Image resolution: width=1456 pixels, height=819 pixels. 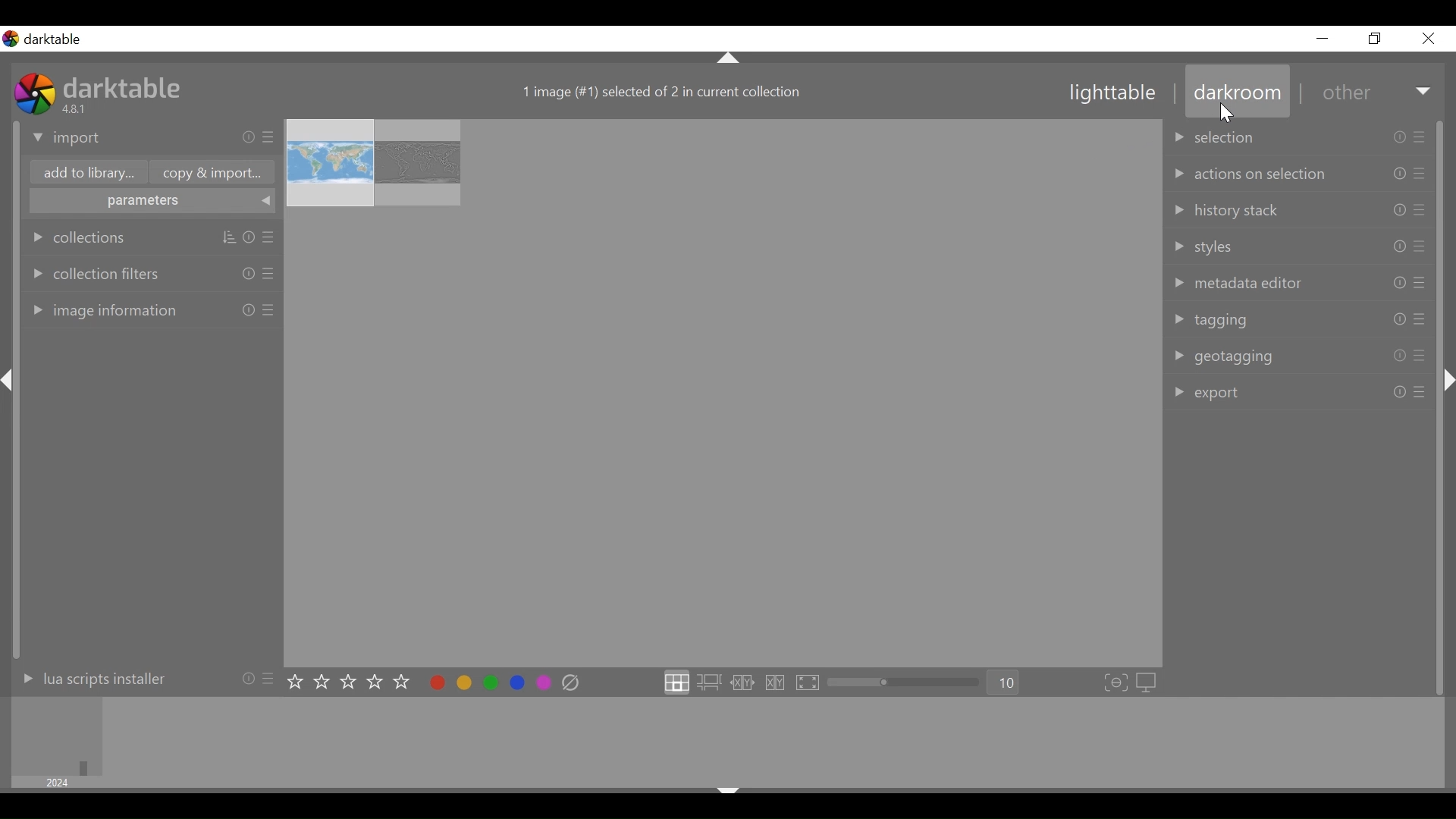 What do you see at coordinates (1113, 93) in the screenshot?
I see `lightable` at bounding box center [1113, 93].